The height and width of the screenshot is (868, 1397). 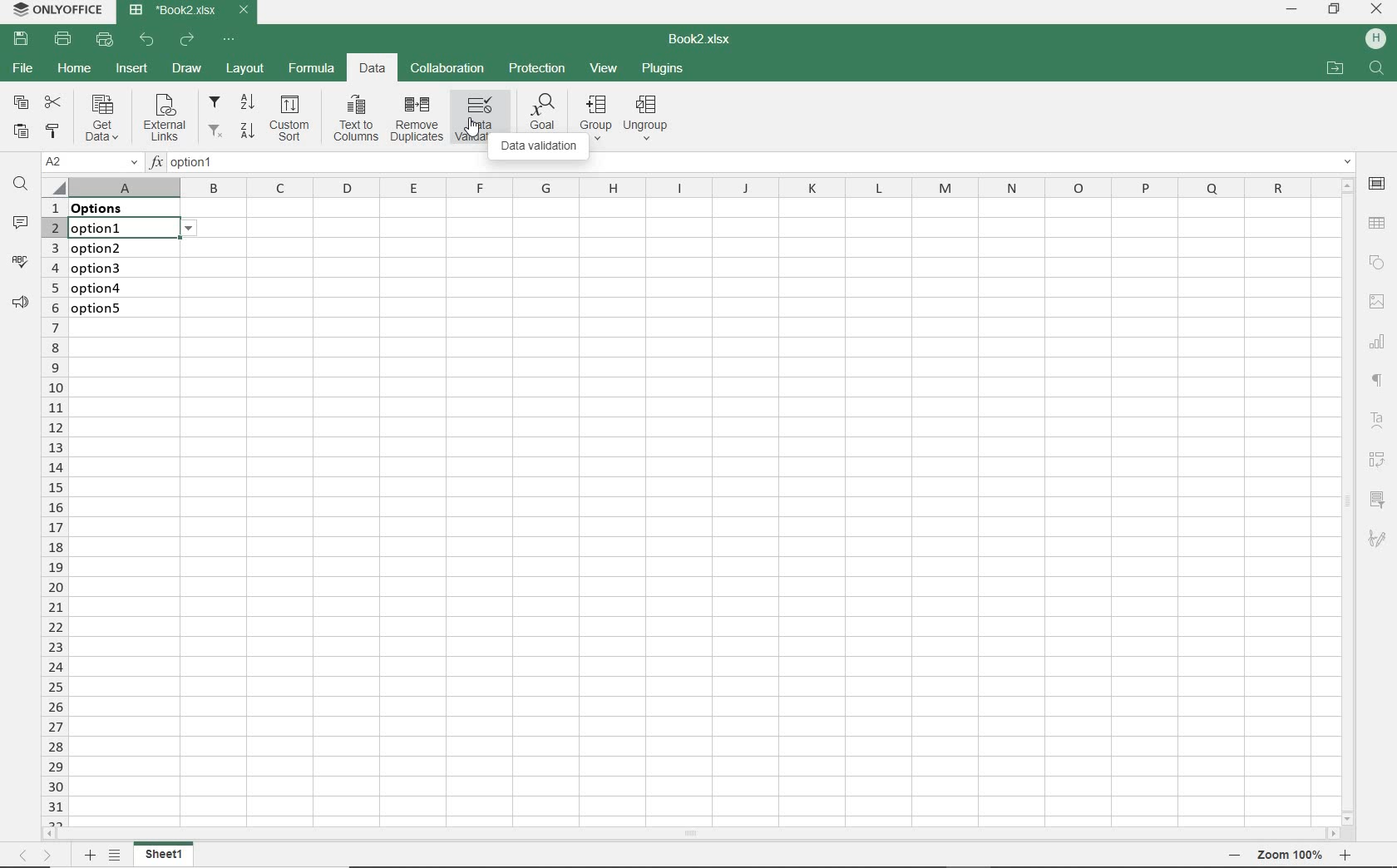 What do you see at coordinates (1335, 11) in the screenshot?
I see `RESTORE DOWN` at bounding box center [1335, 11].